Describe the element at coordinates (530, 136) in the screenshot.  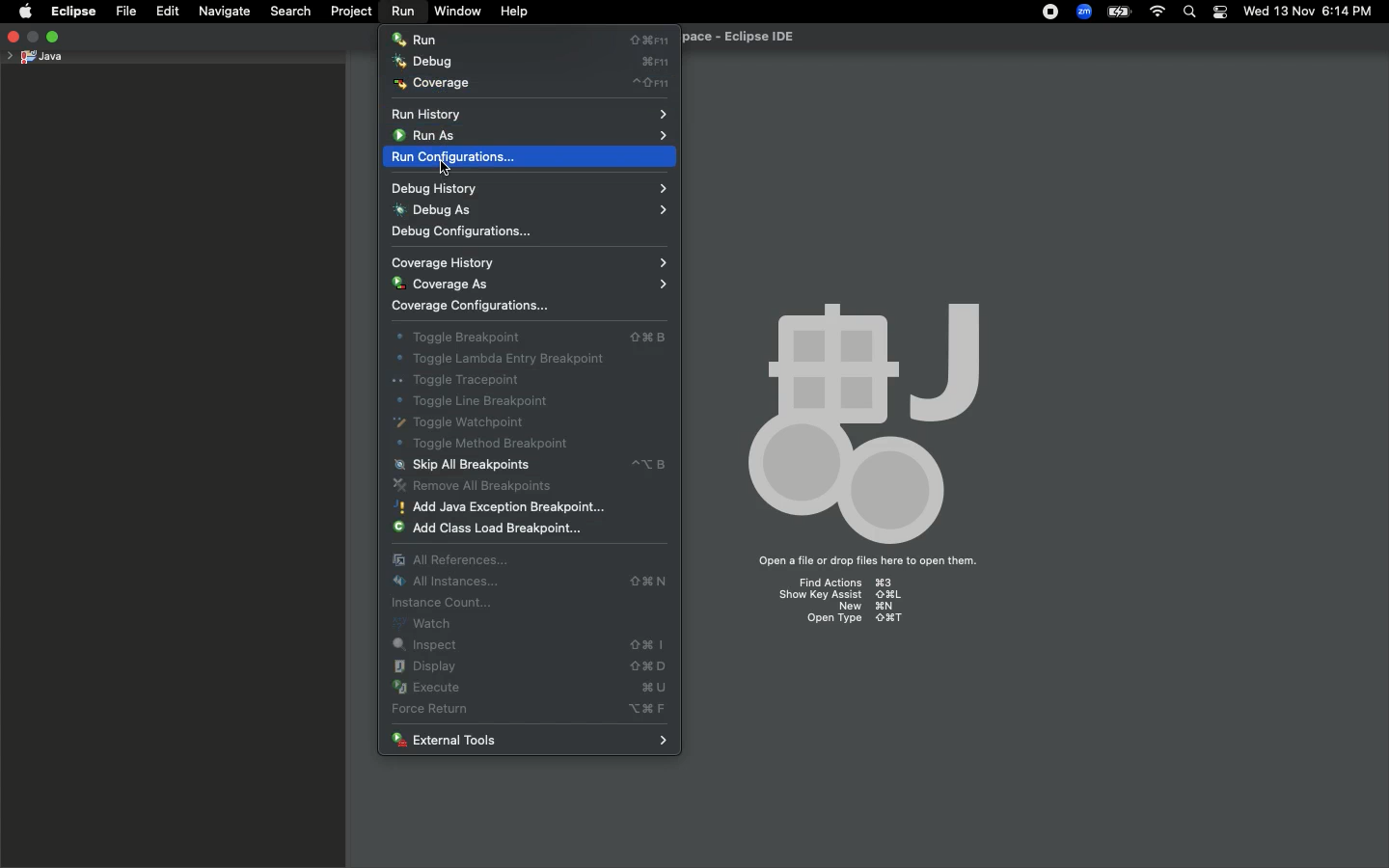
I see `Run as` at that location.